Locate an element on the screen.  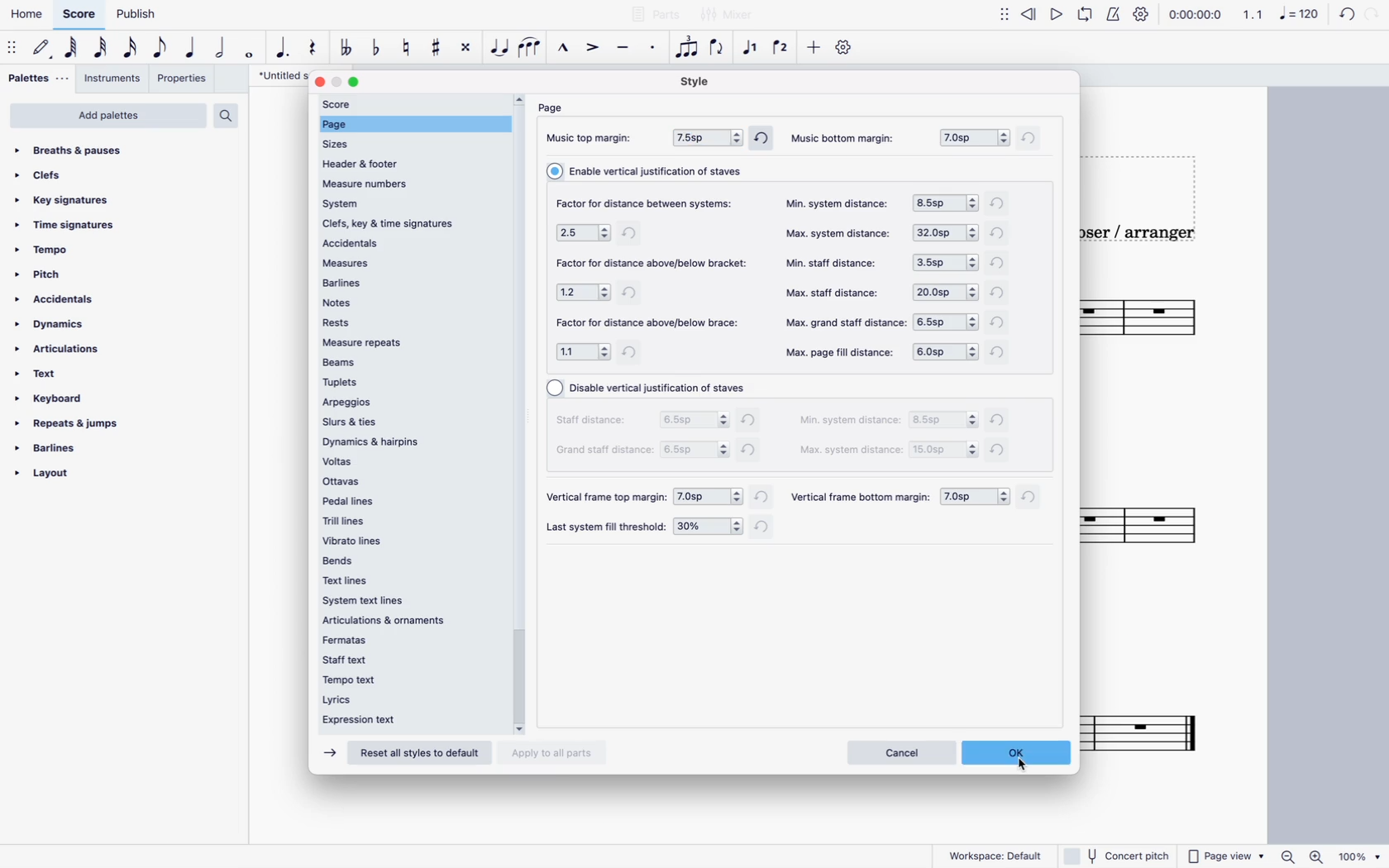
accidentals is located at coordinates (55, 300).